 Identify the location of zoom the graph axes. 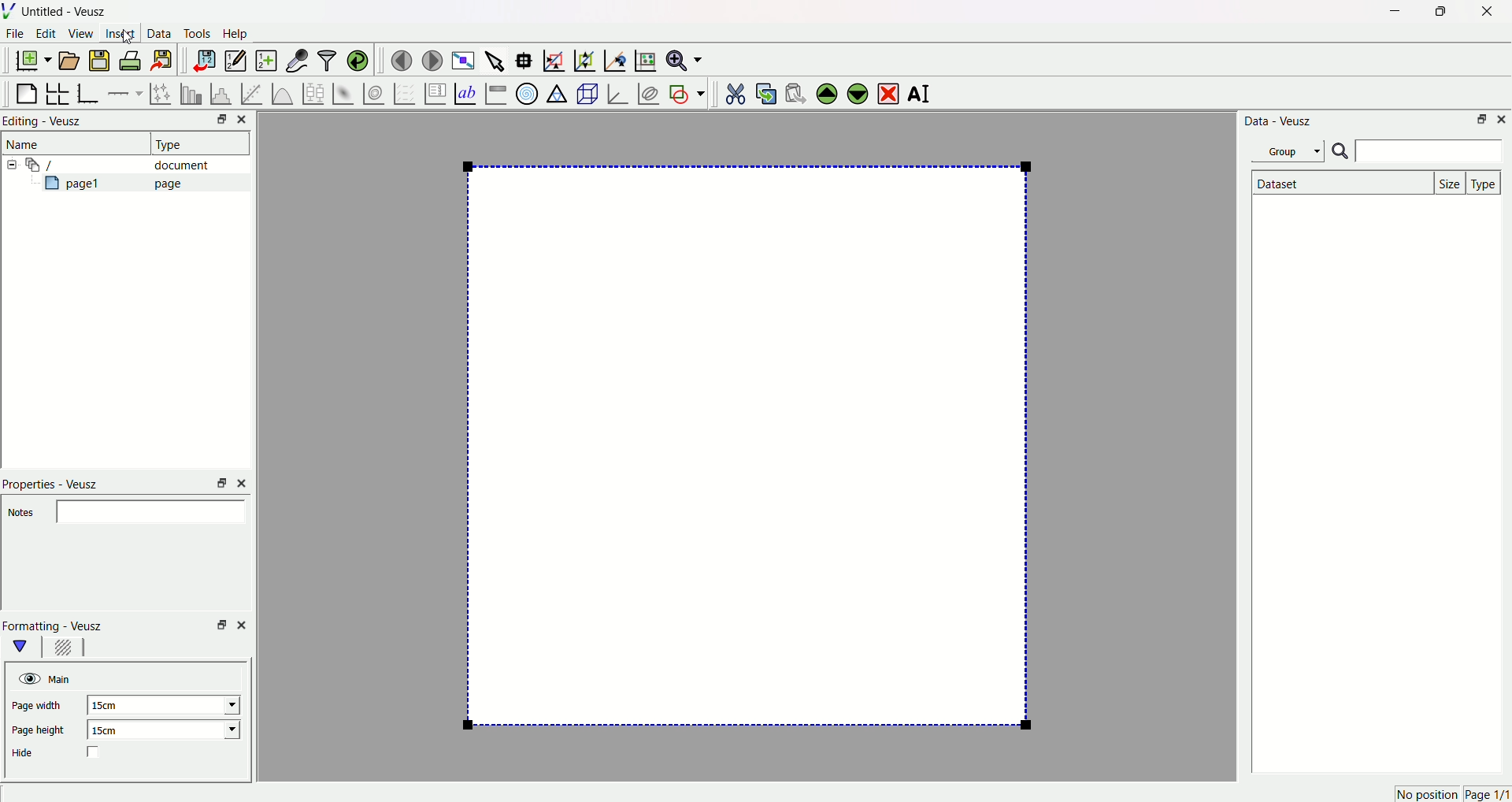
(582, 58).